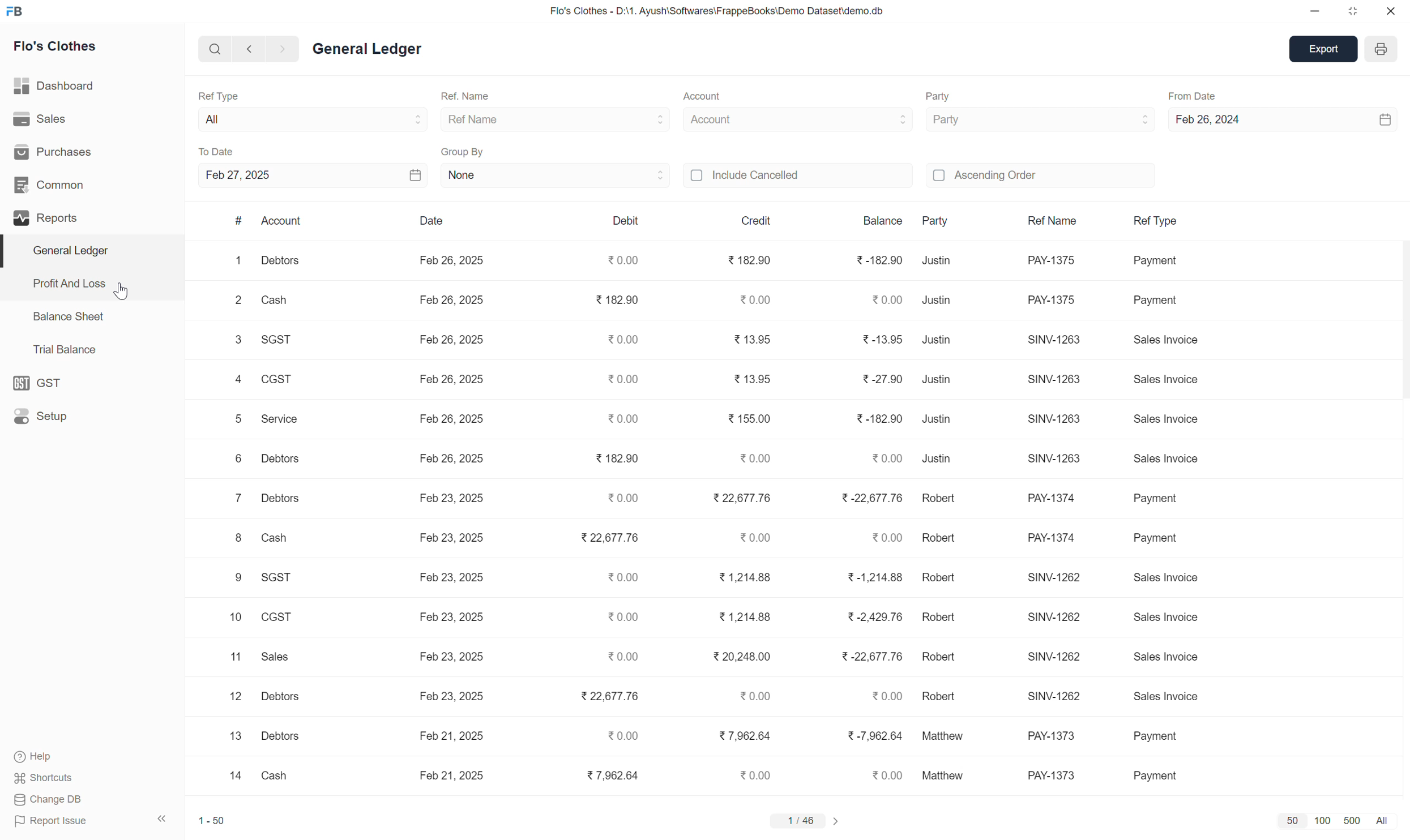 This screenshot has height=840, width=1410. What do you see at coordinates (1052, 578) in the screenshot?
I see `SINV-1262` at bounding box center [1052, 578].